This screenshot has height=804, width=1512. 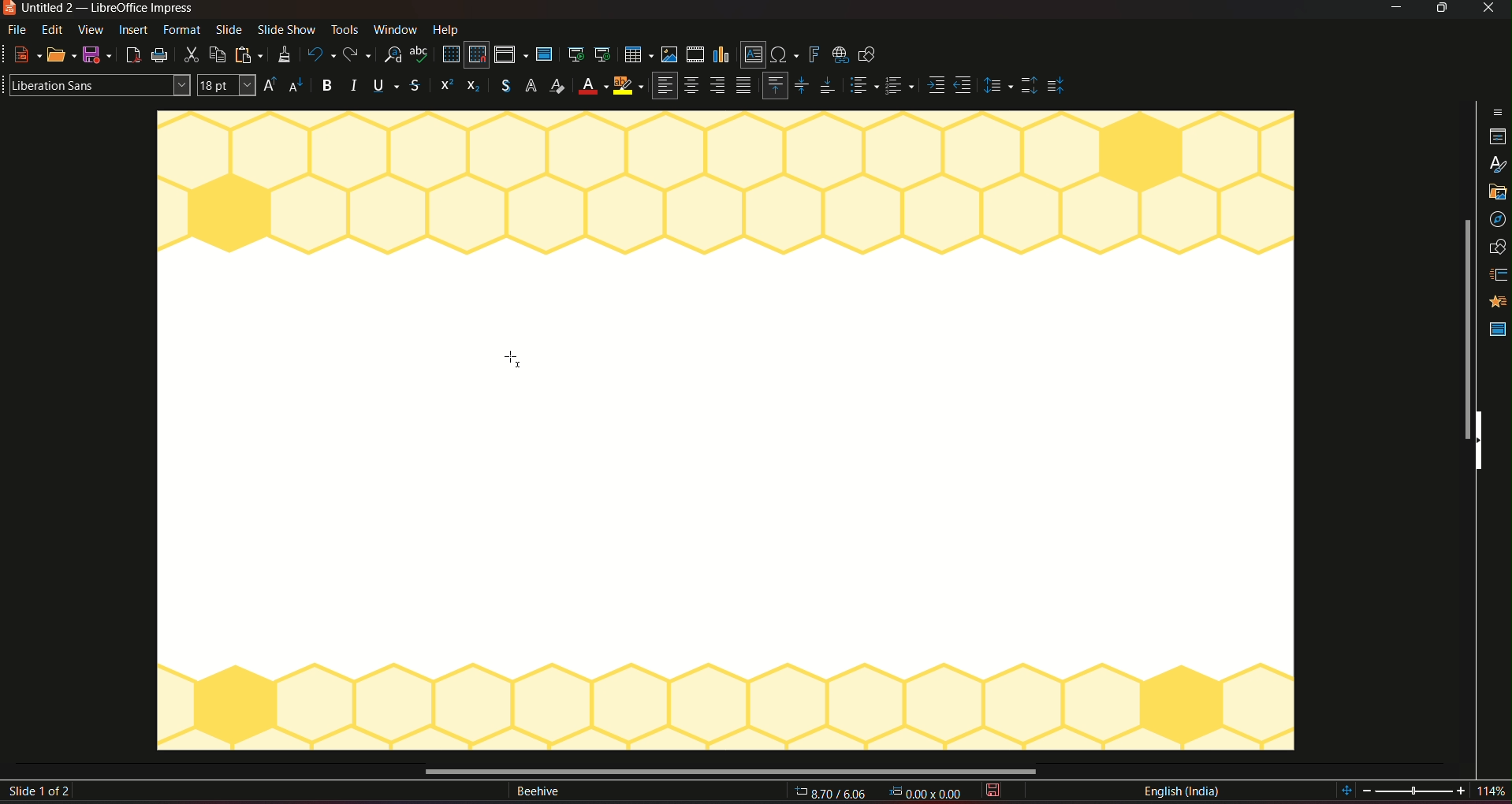 I want to click on Align side 1, so click(x=935, y=86).